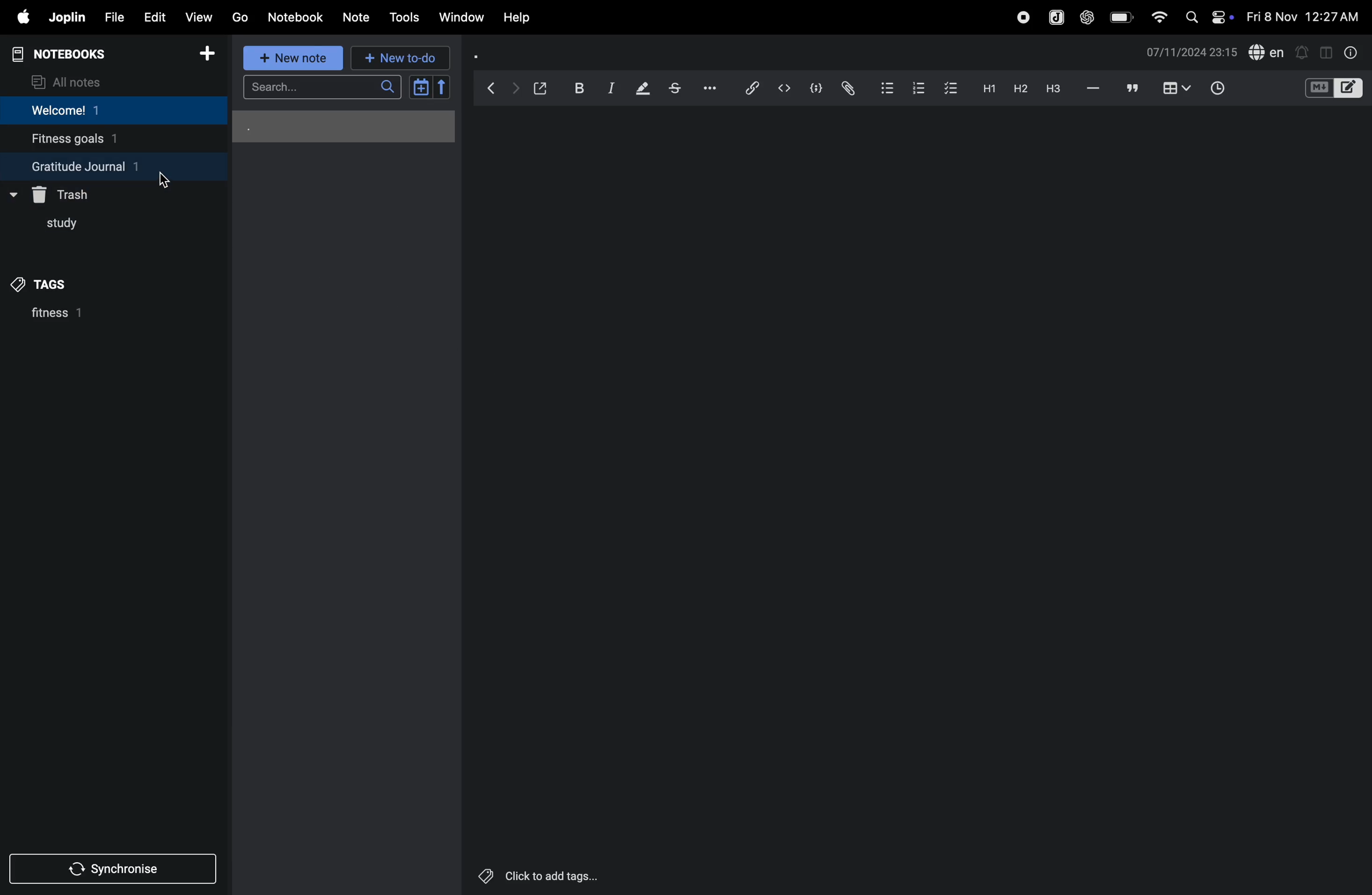  Describe the element at coordinates (847, 88) in the screenshot. I see `attach file` at that location.